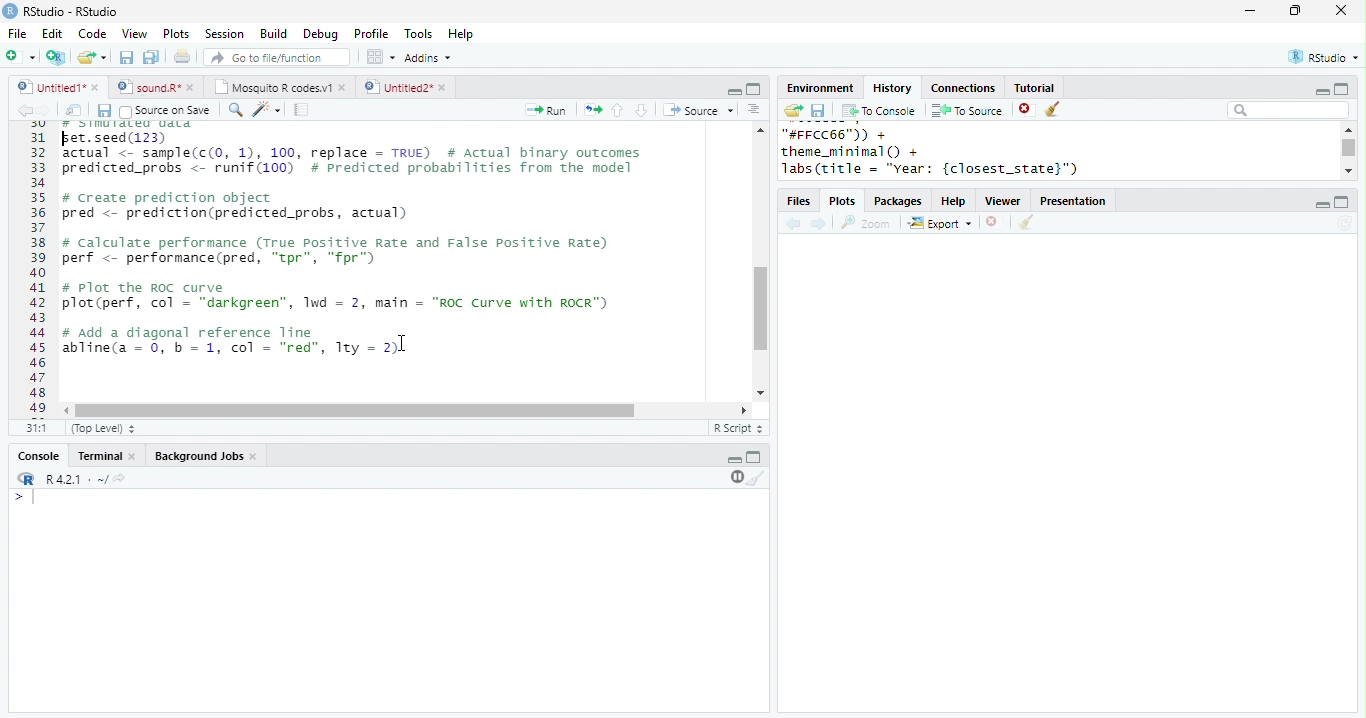 This screenshot has width=1366, height=718. Describe the element at coordinates (818, 111) in the screenshot. I see `save` at that location.